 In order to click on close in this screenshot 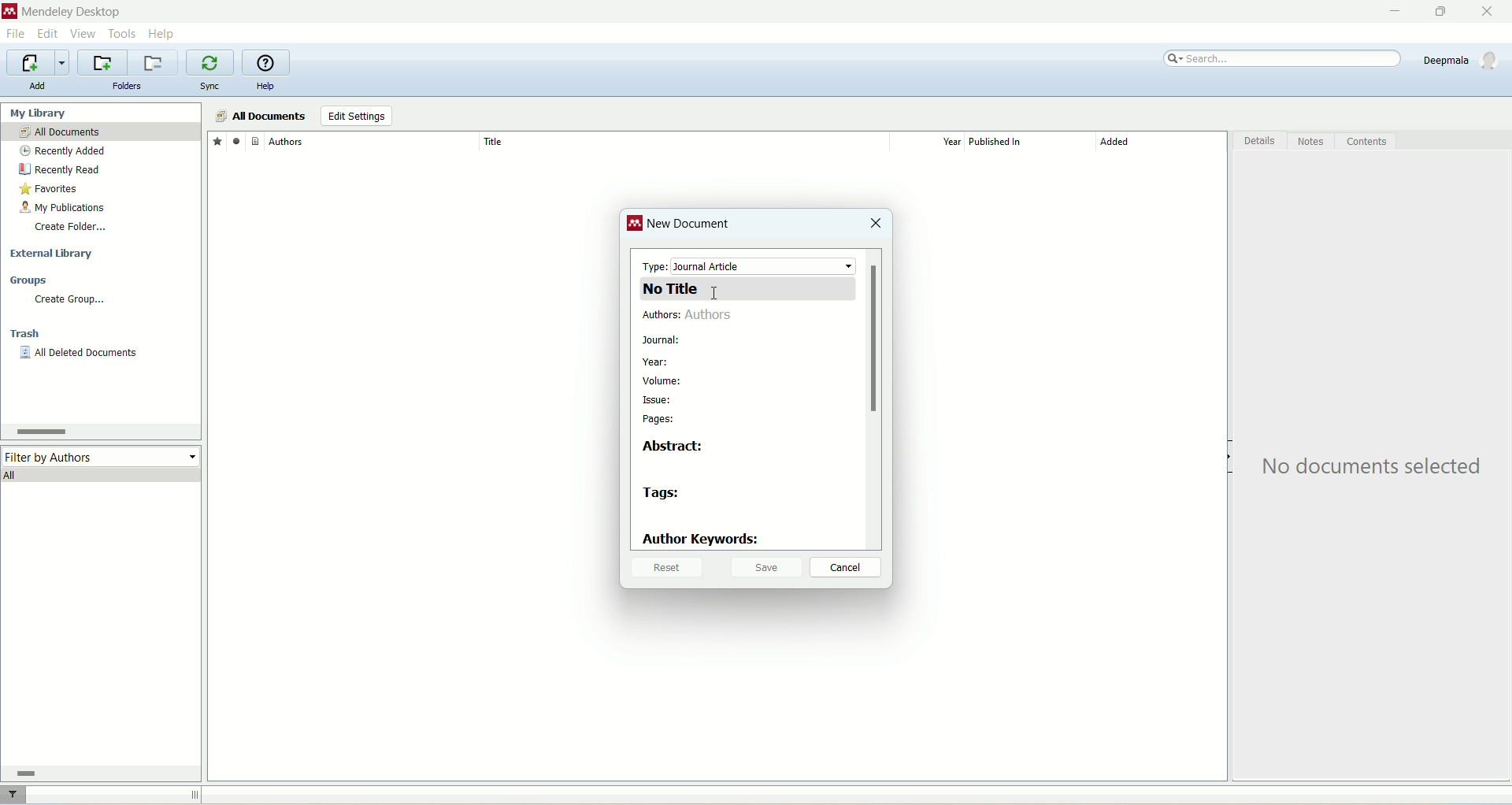, I will do `click(875, 224)`.